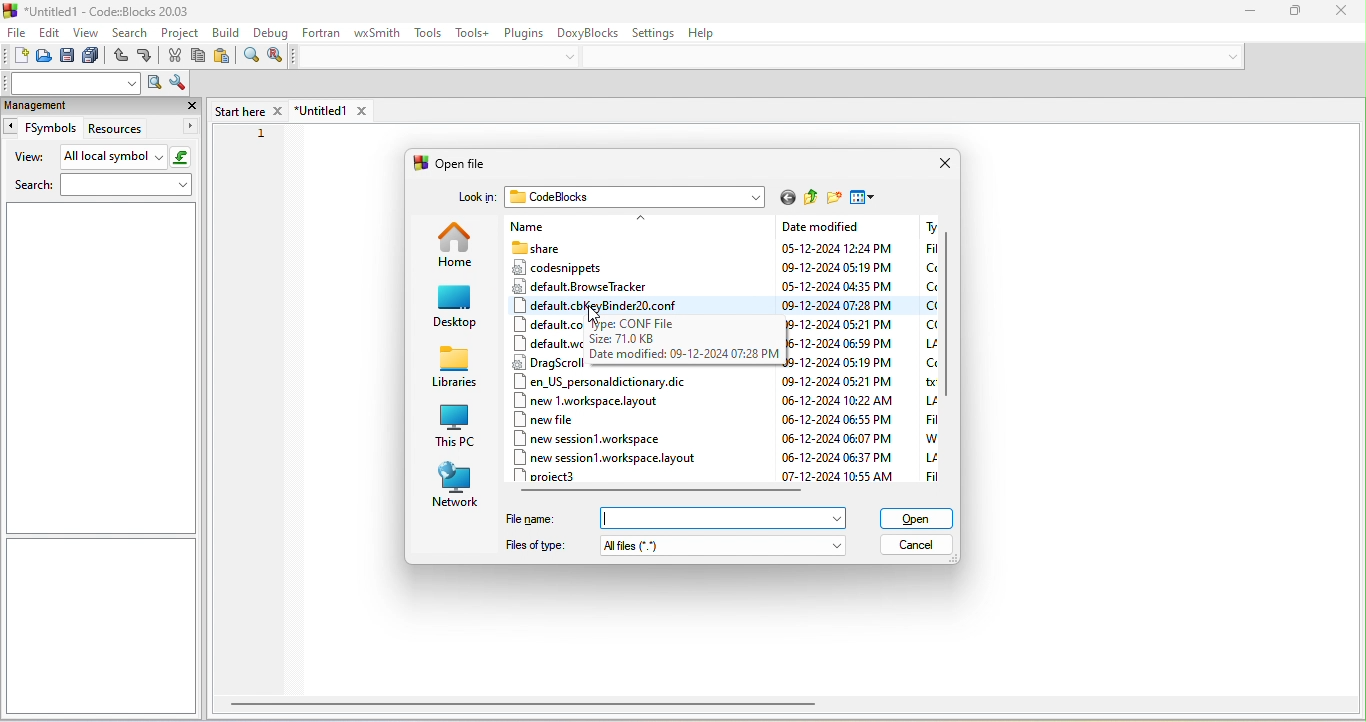 This screenshot has width=1366, height=722. I want to click on dropdown, so click(838, 517).